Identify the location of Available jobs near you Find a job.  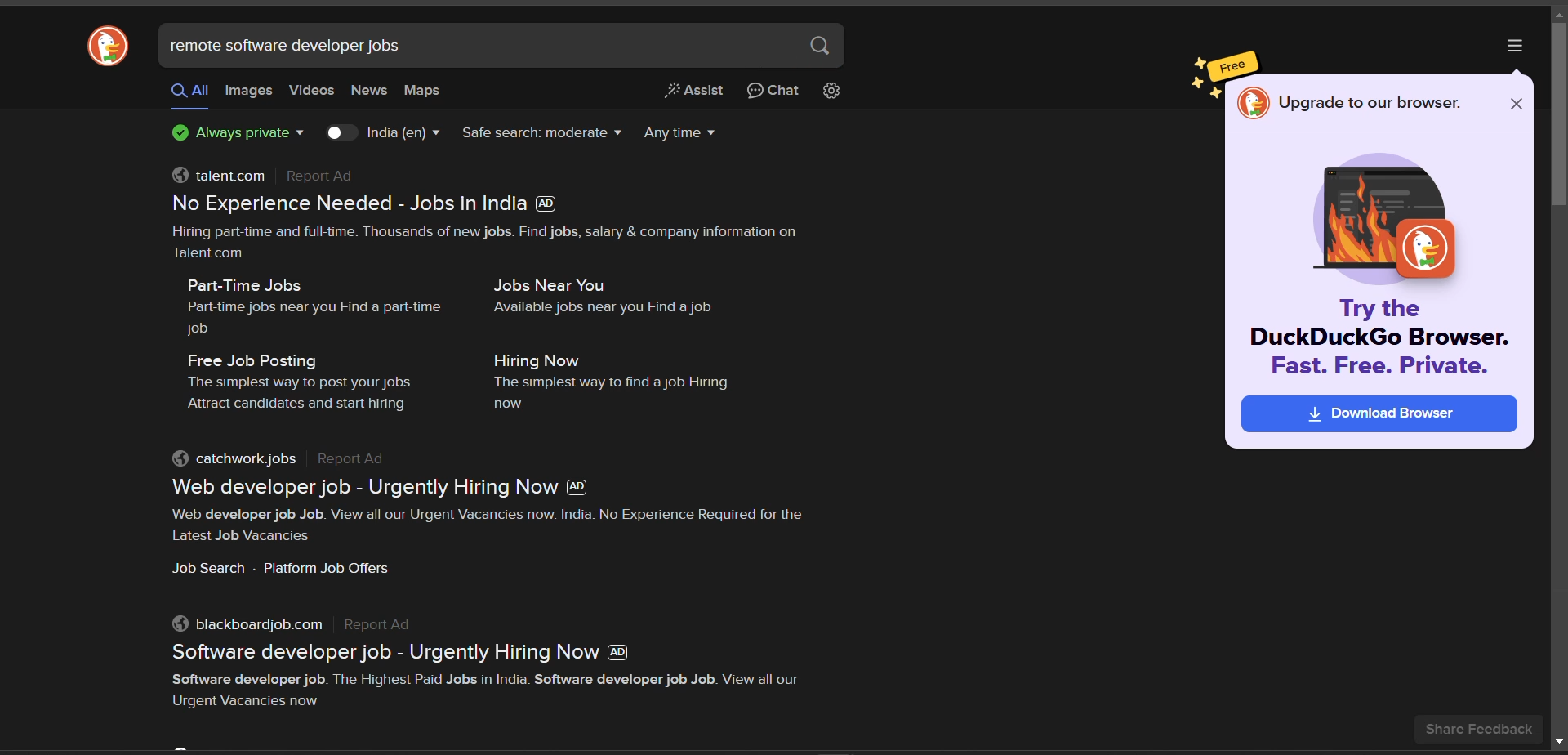
(598, 309).